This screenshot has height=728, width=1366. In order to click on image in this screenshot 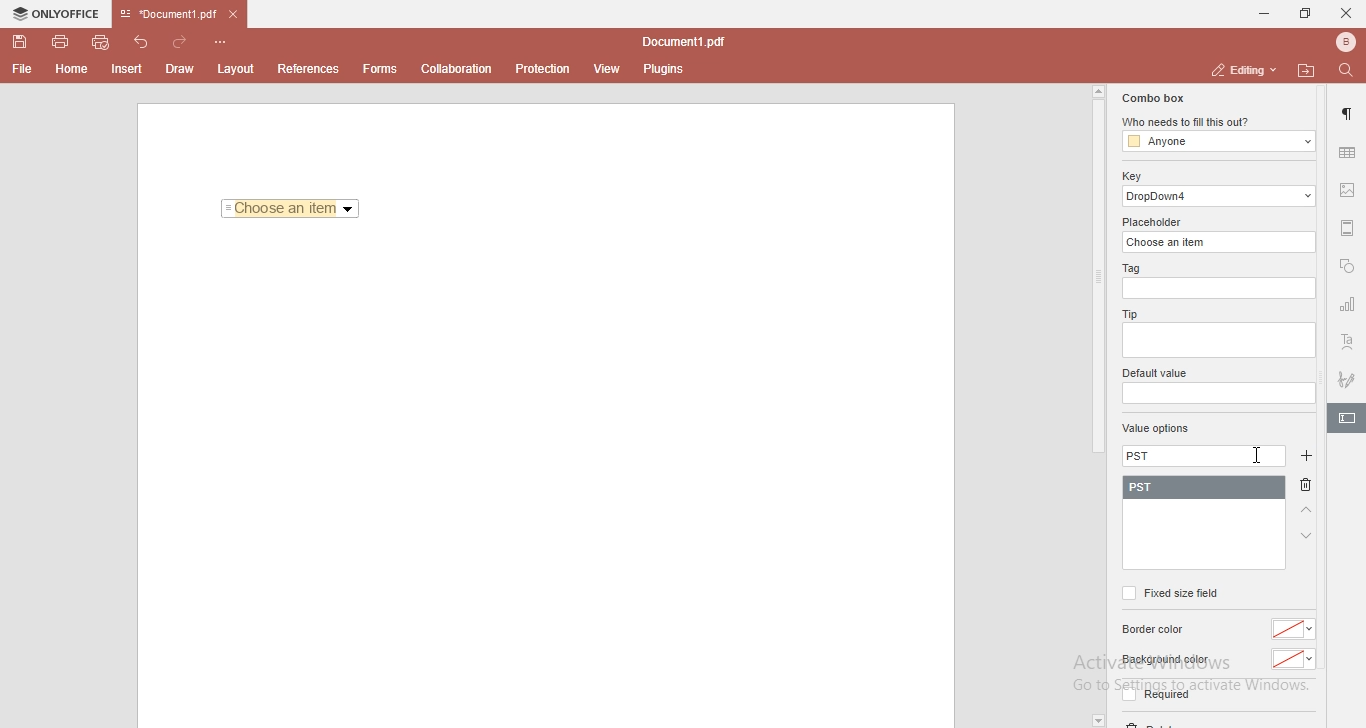, I will do `click(1349, 192)`.